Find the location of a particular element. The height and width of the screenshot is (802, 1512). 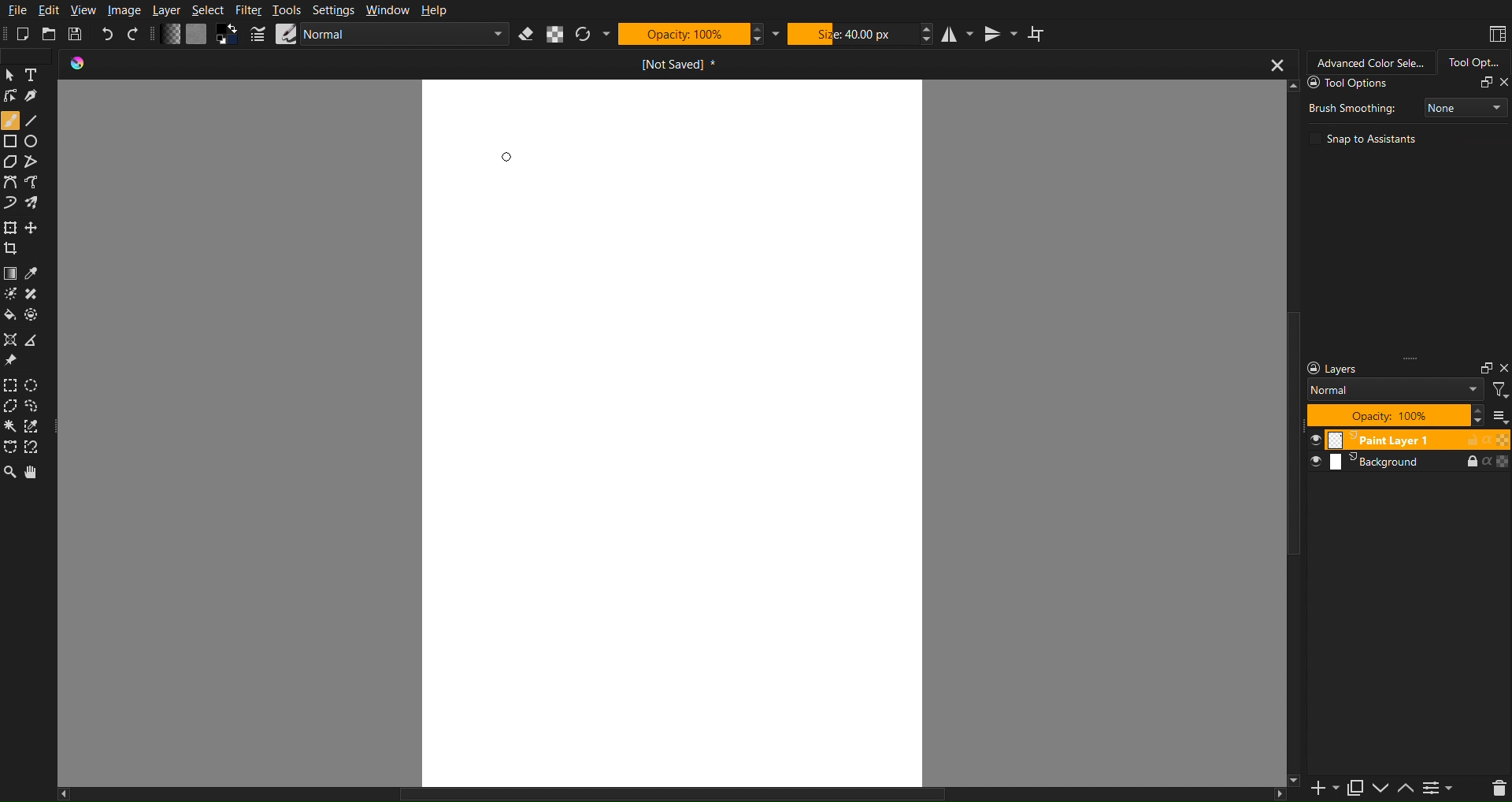

Refresh is located at coordinates (583, 34).